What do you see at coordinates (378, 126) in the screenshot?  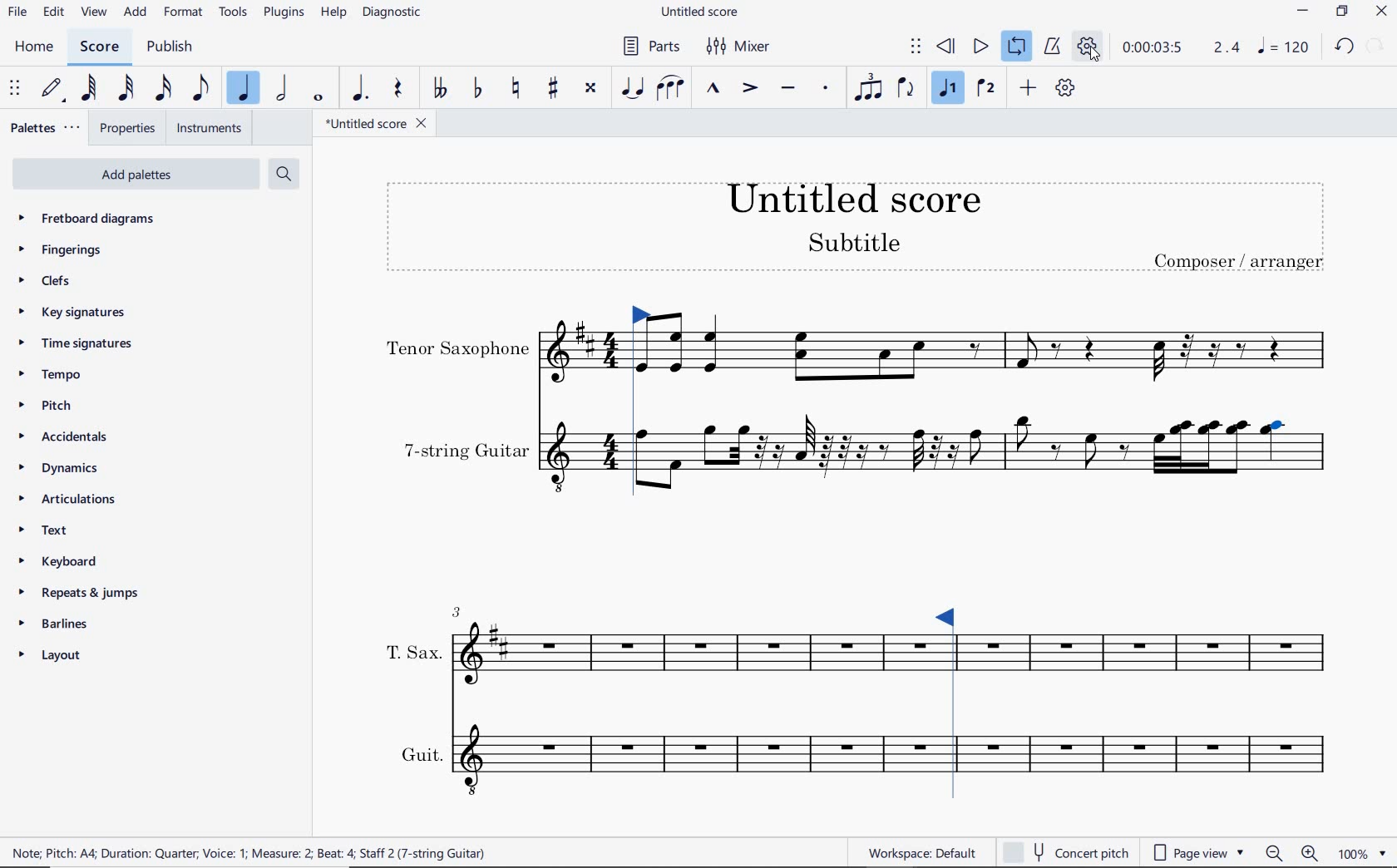 I see `FILE NAME` at bounding box center [378, 126].